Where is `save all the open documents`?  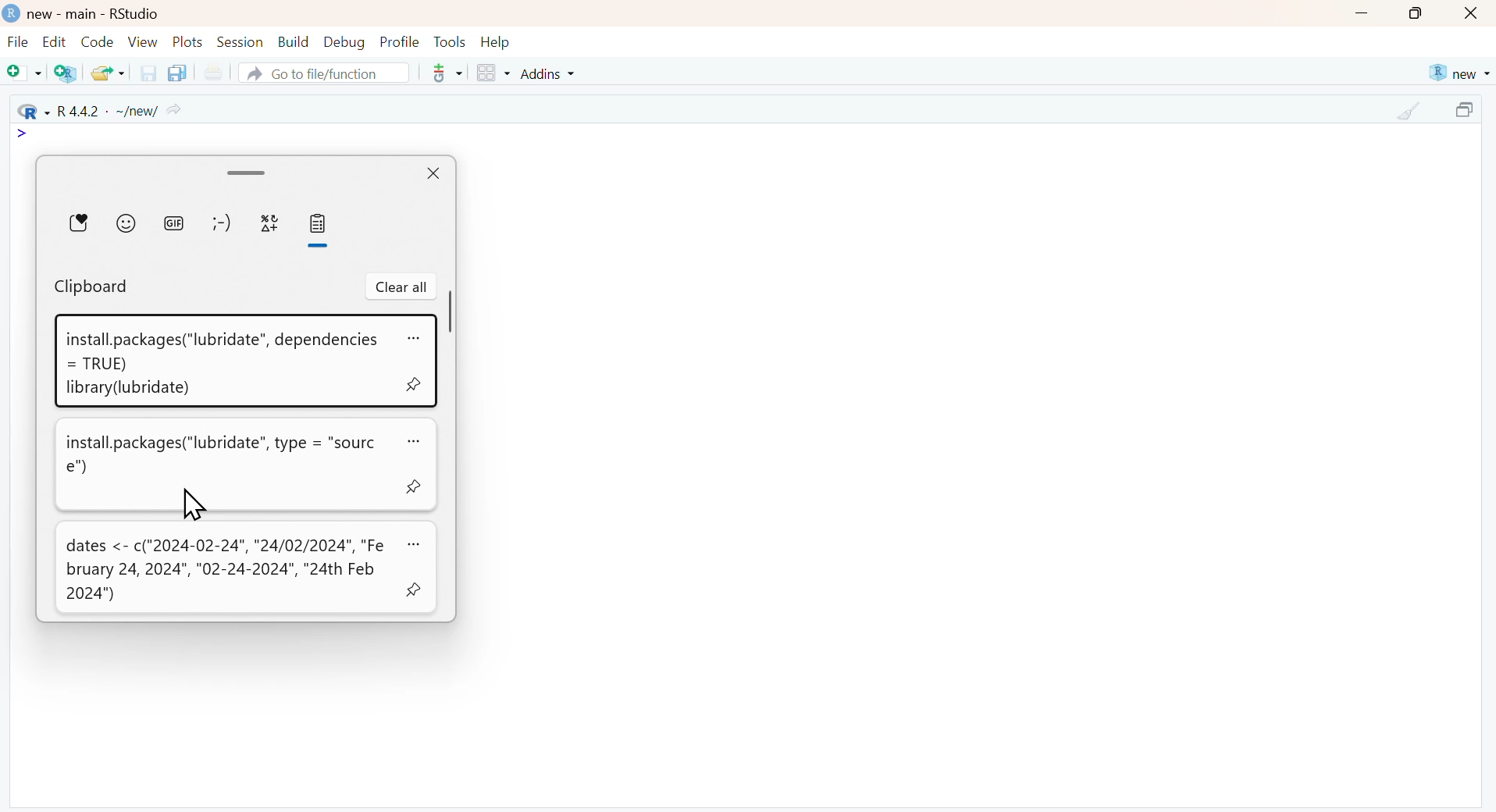 save all the open documents is located at coordinates (176, 72).